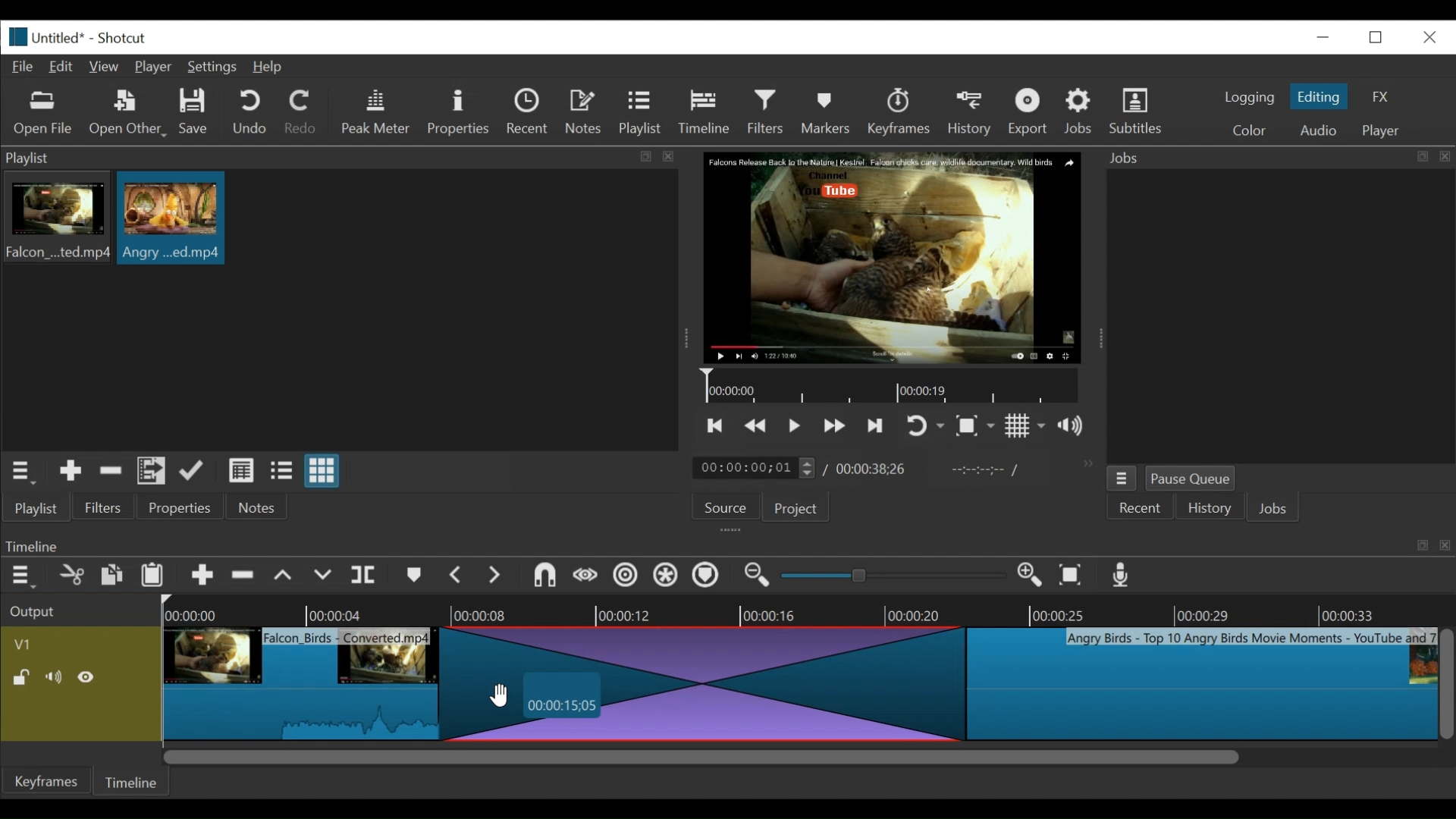 The width and height of the screenshot is (1456, 819). Describe the element at coordinates (829, 111) in the screenshot. I see `Markers` at that location.